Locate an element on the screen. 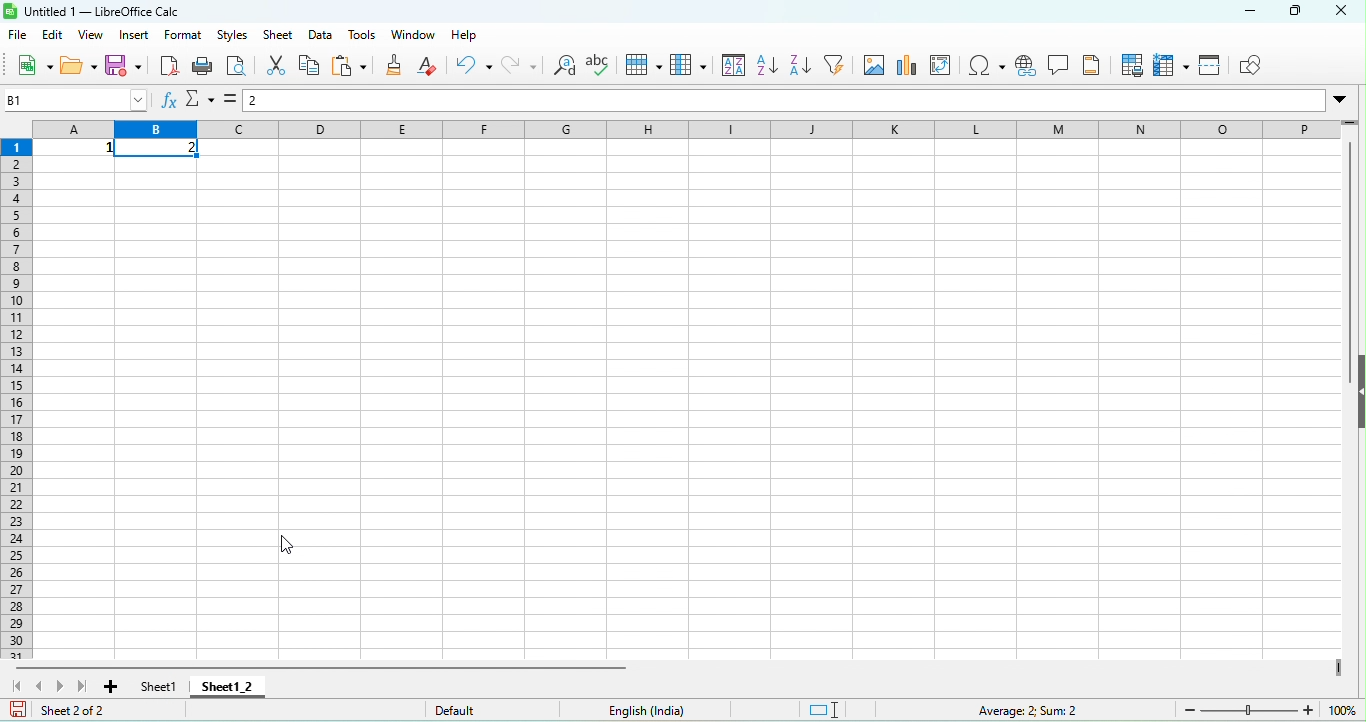 The width and height of the screenshot is (1366, 722). format is located at coordinates (184, 36).